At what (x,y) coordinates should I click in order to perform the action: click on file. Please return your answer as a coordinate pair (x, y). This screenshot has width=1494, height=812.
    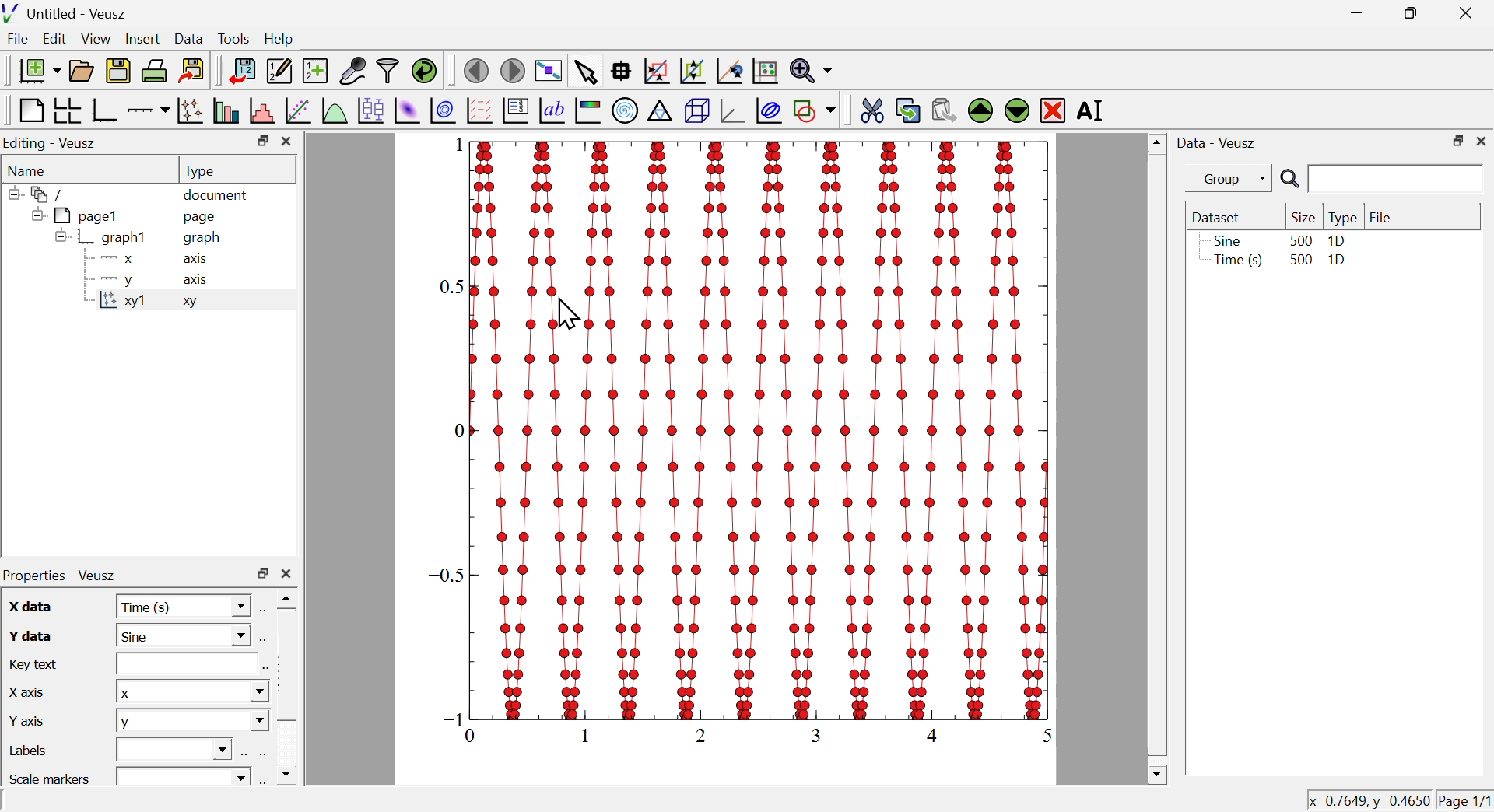
    Looking at the image, I should click on (1381, 215).